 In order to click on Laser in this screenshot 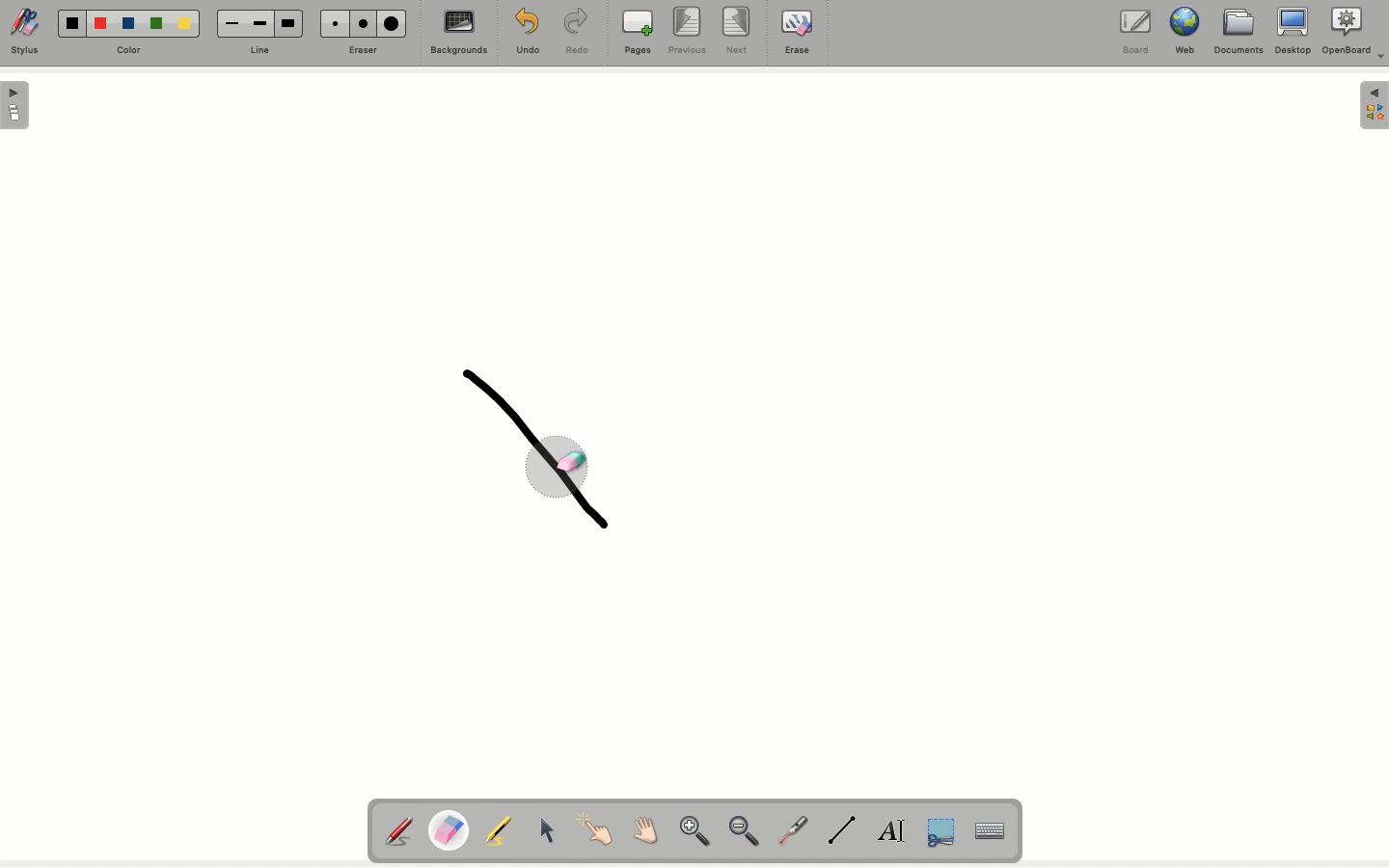, I will do `click(795, 830)`.